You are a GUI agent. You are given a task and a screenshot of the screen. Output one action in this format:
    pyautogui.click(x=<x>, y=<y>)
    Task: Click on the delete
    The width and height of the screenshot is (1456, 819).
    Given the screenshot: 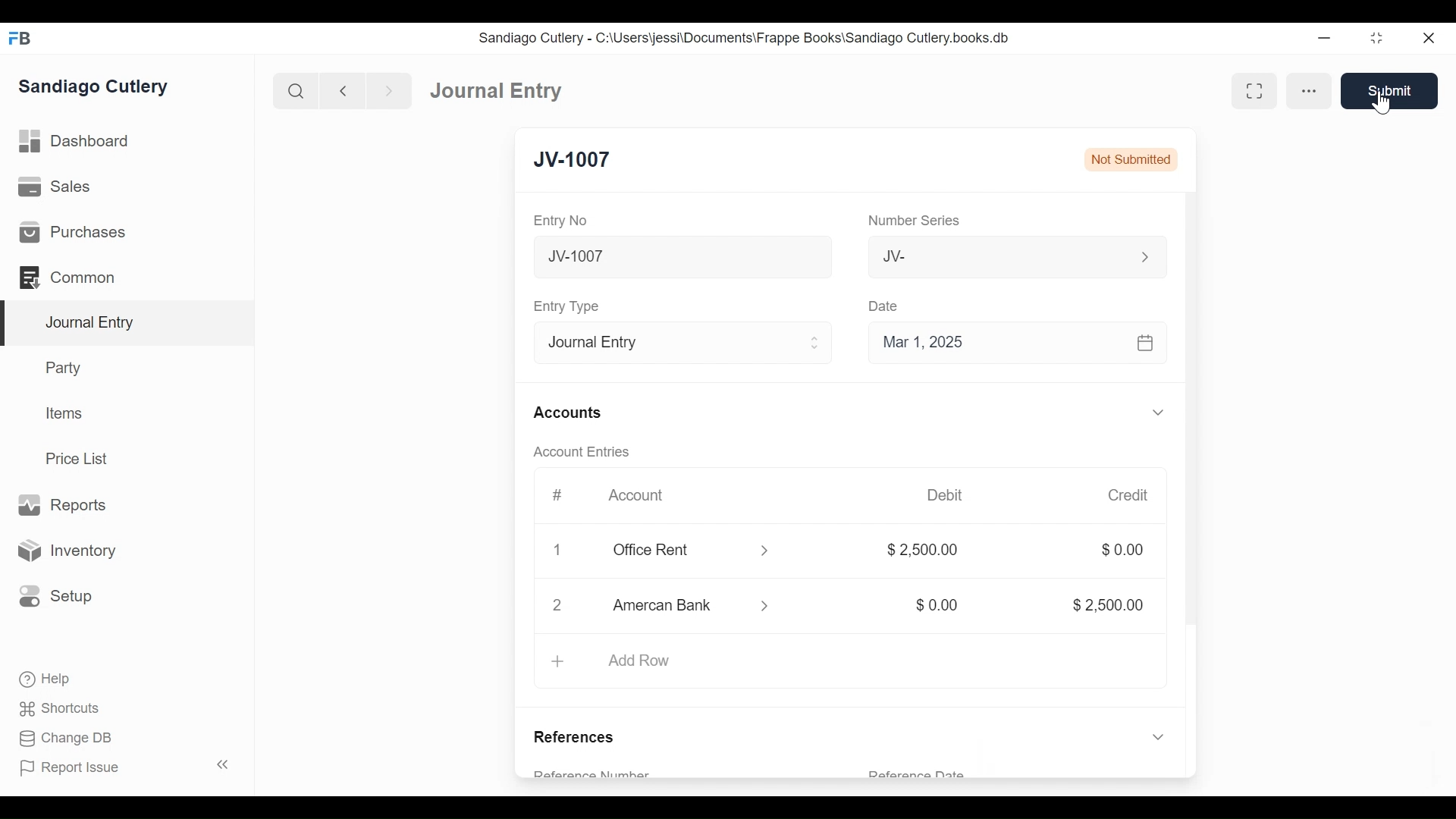 What is the action you would take?
    pyautogui.click(x=554, y=551)
    